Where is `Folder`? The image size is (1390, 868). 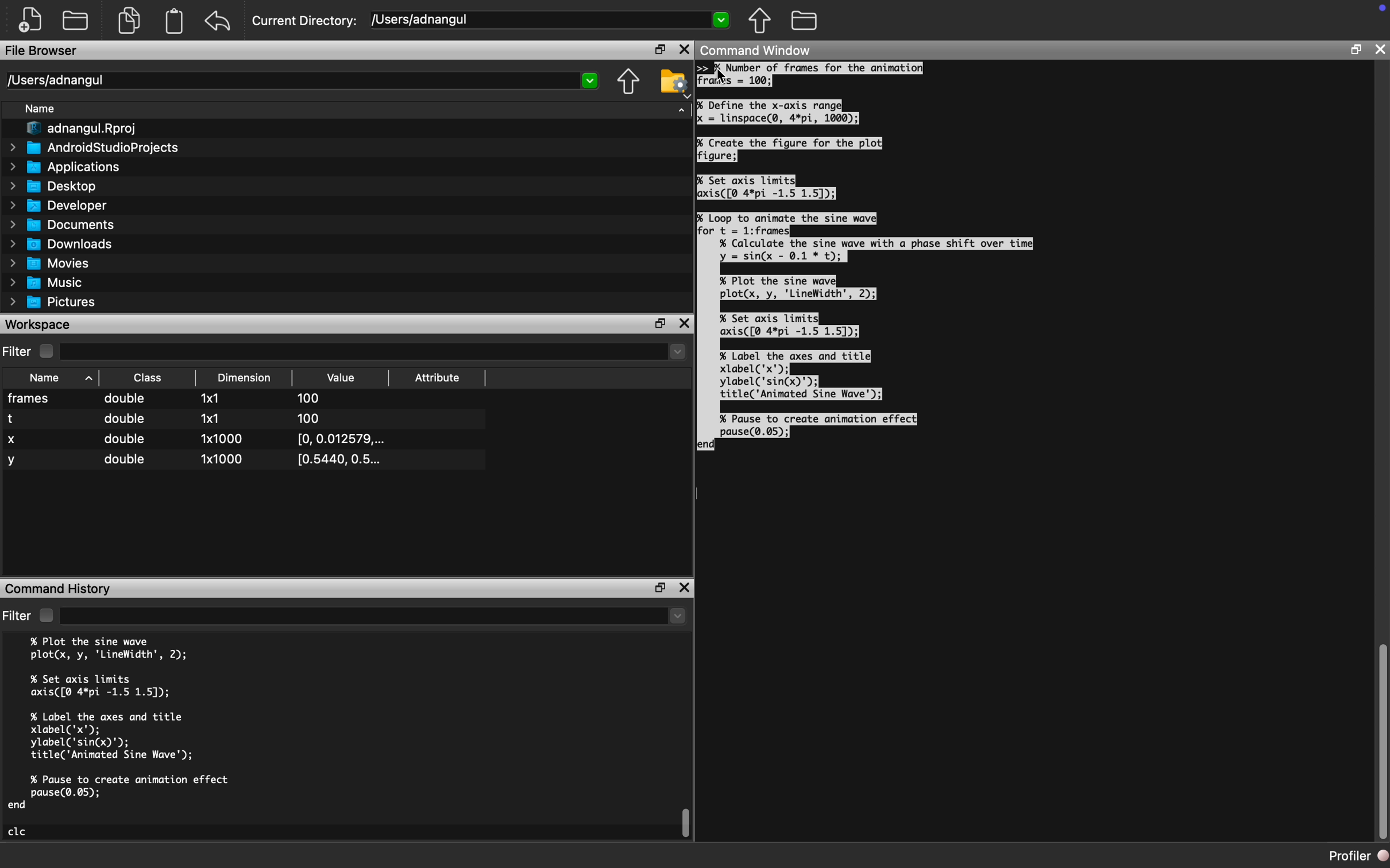 Folder is located at coordinates (804, 21).